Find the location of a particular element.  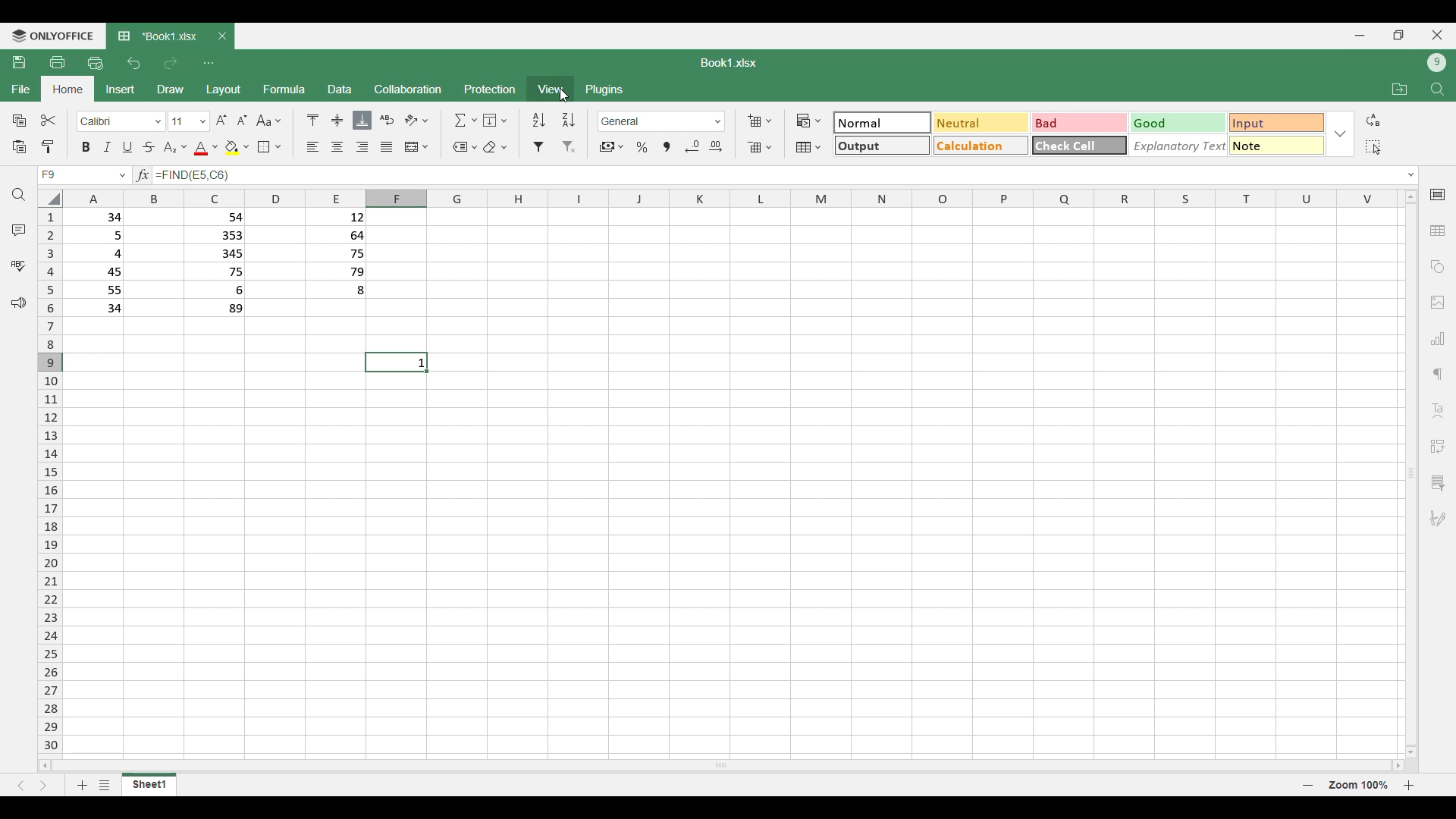

Horizontal slide bar is located at coordinates (730, 767).